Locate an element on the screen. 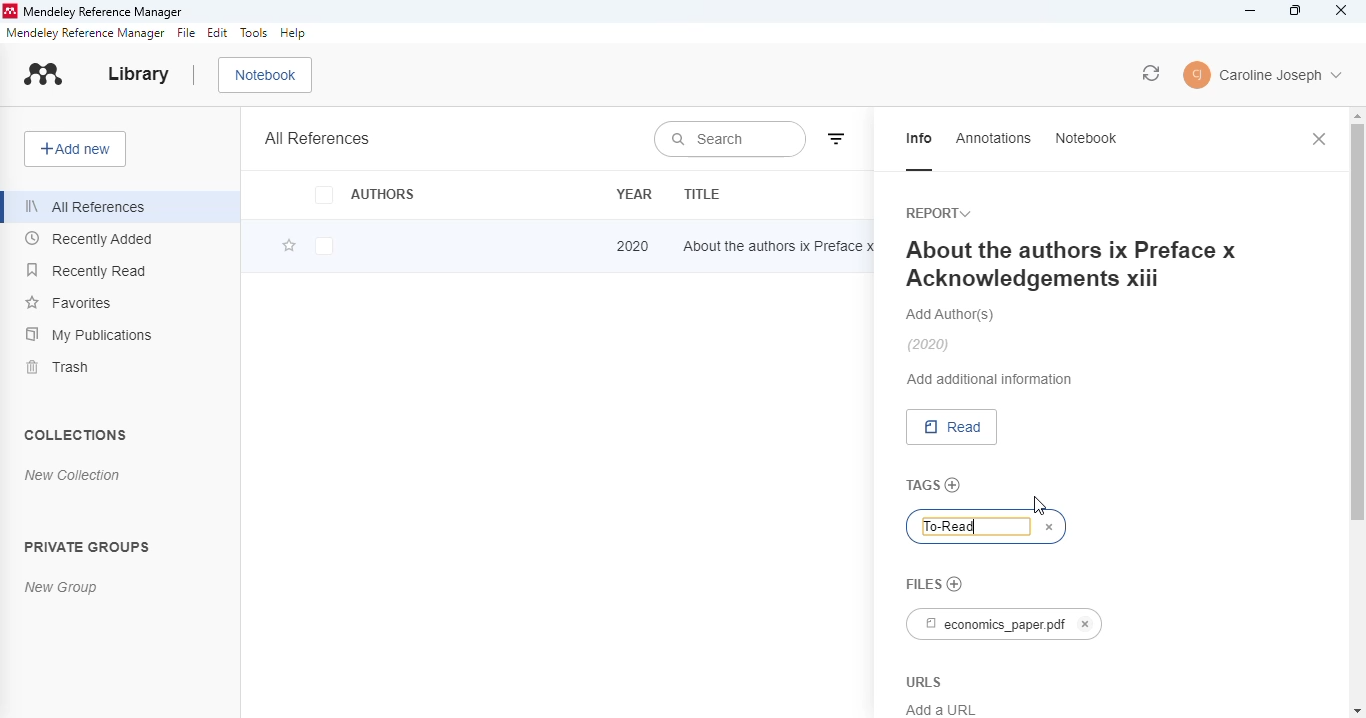  filter by is located at coordinates (839, 136).